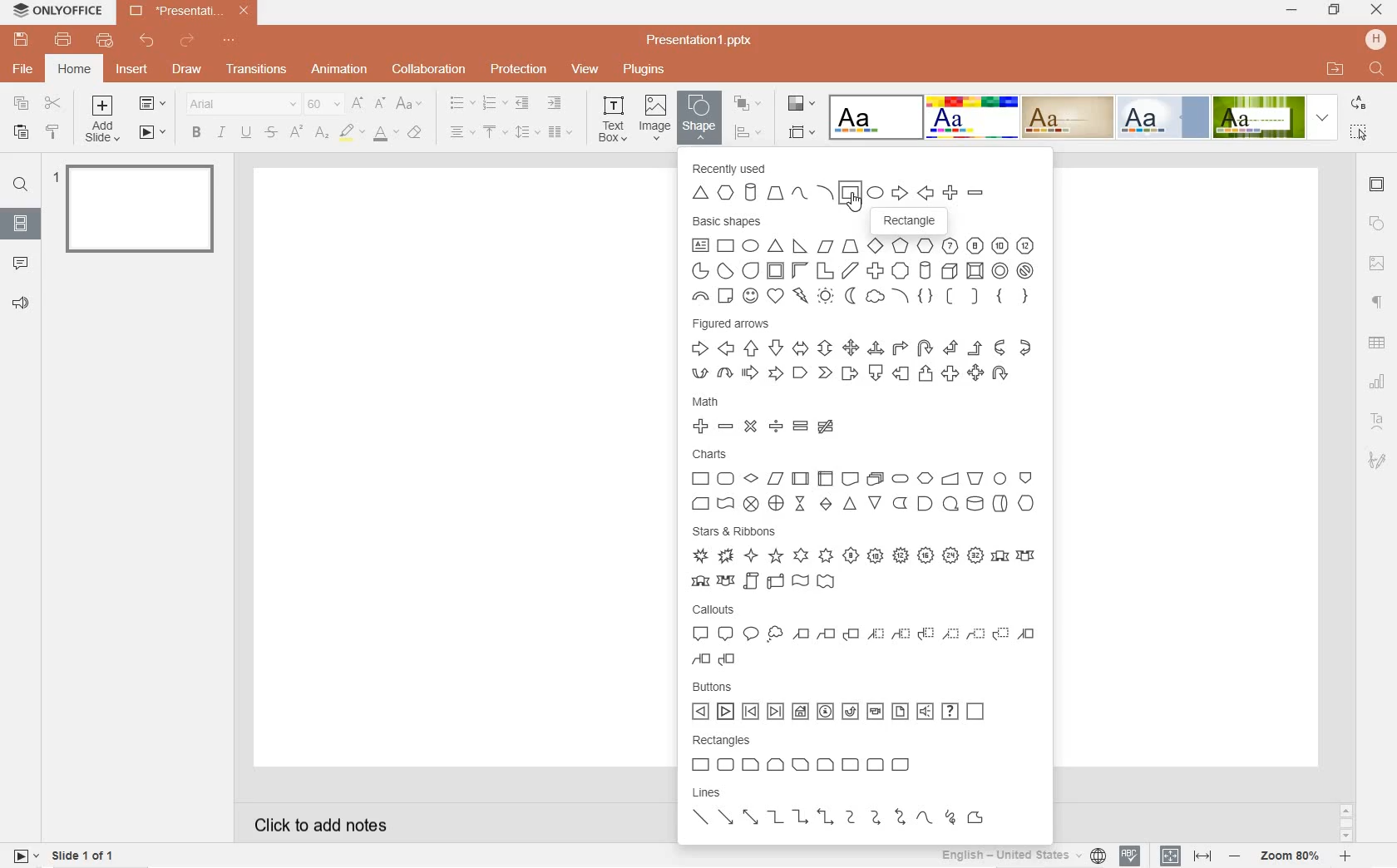  What do you see at coordinates (727, 765) in the screenshot?
I see `Rounded Rectangle` at bounding box center [727, 765].